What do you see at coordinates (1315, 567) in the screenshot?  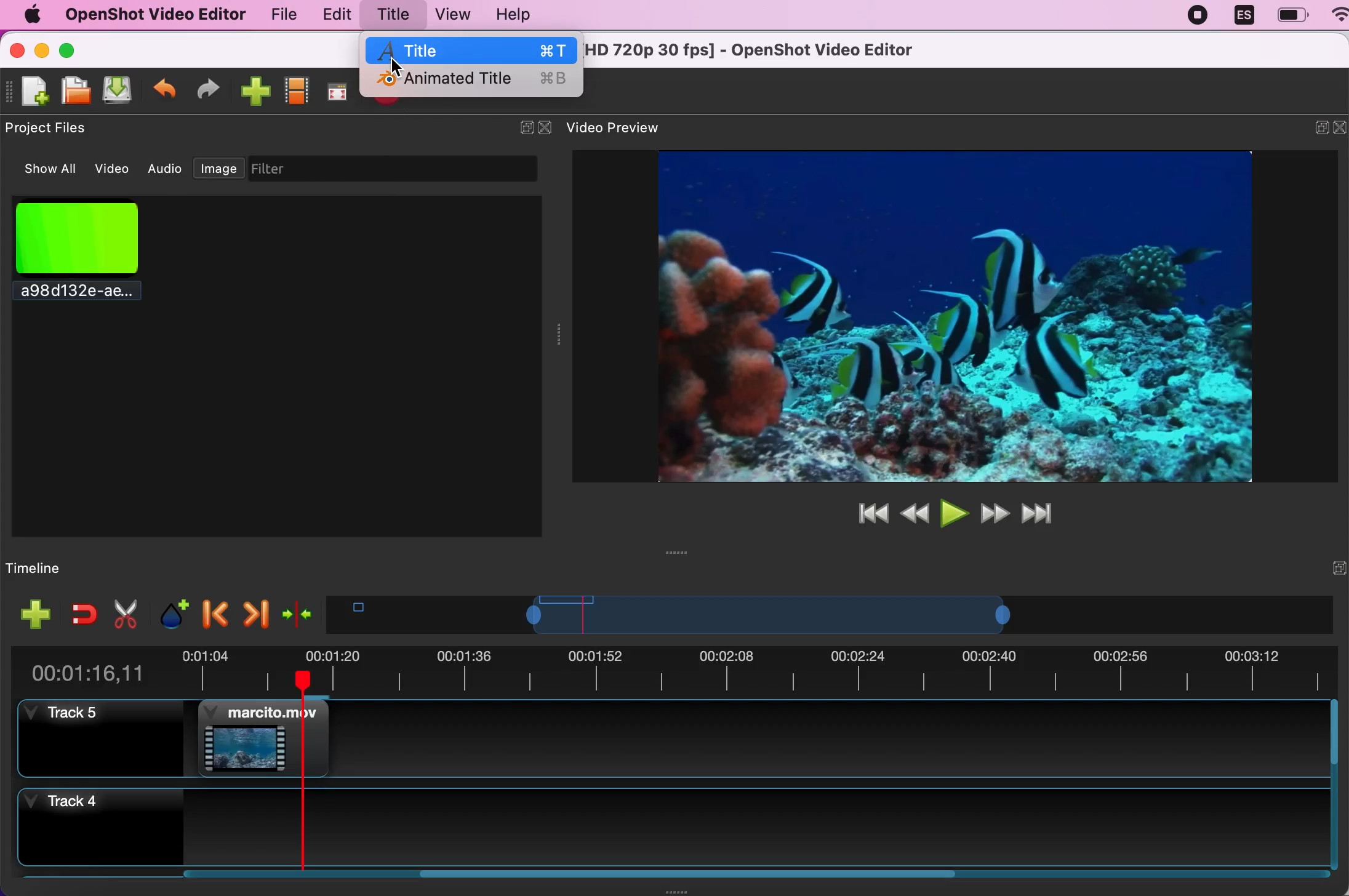 I see `hide/expand` at bounding box center [1315, 567].